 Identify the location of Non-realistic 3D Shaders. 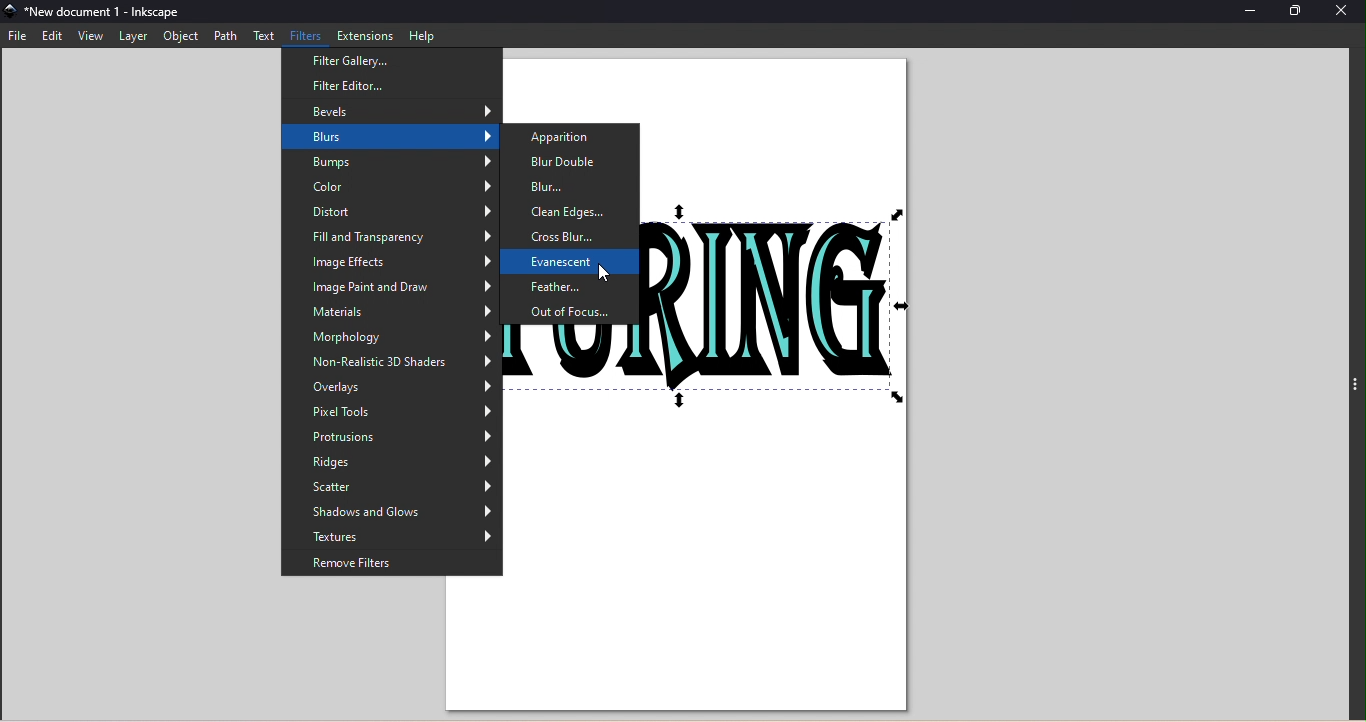
(391, 360).